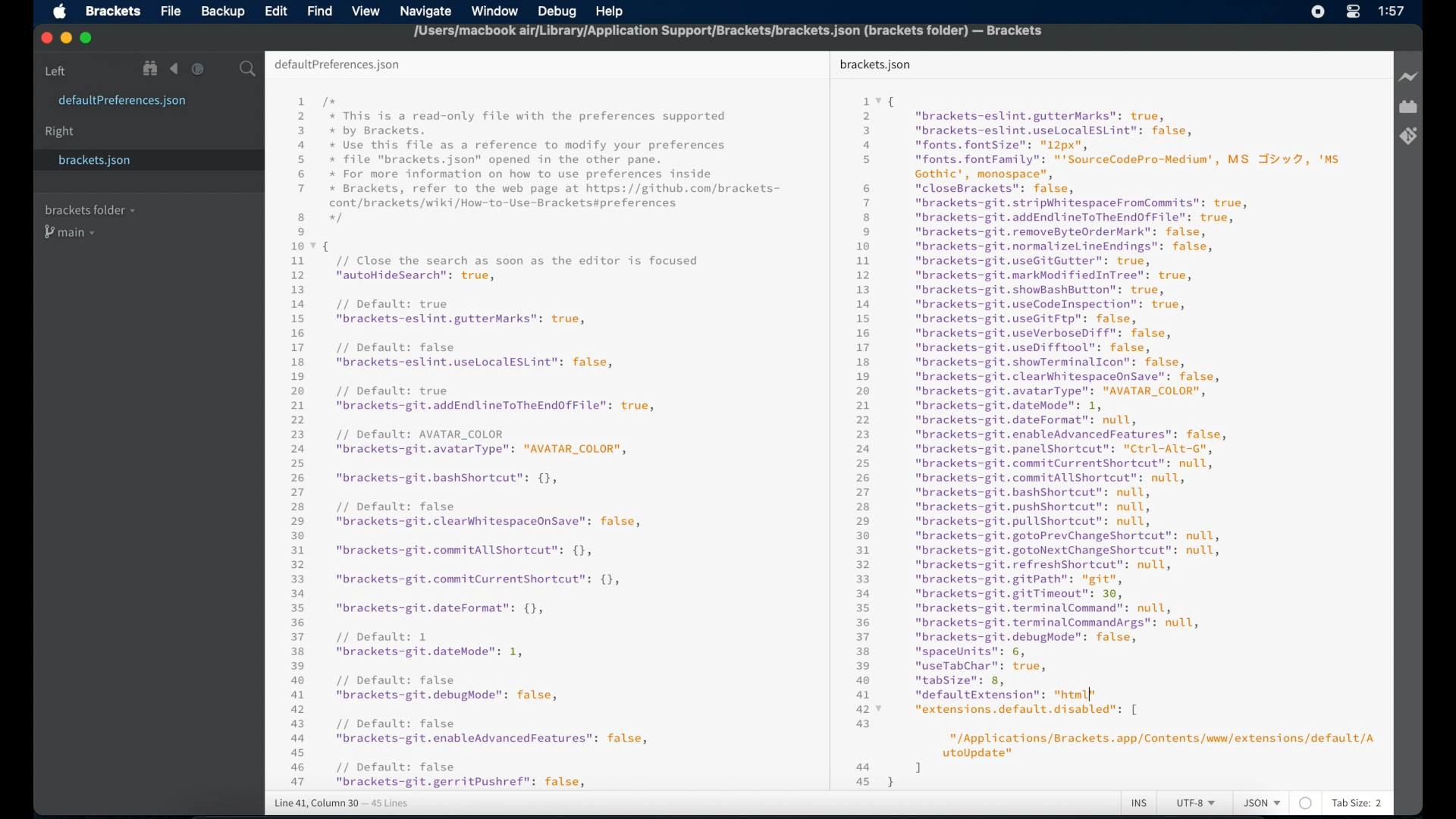  I want to click on no linter  available for this file, so click(1305, 804).